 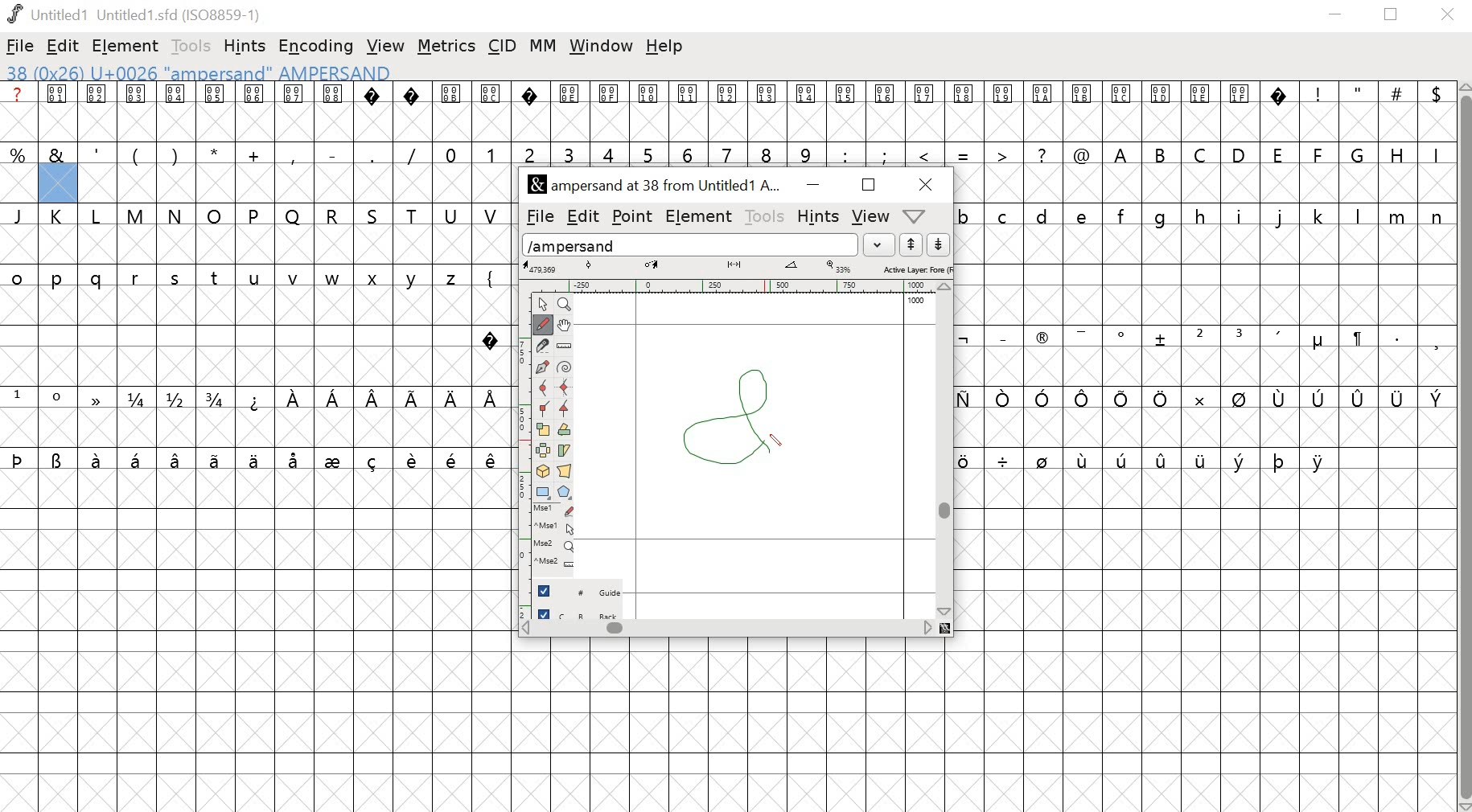 What do you see at coordinates (566, 324) in the screenshot?
I see `scroll by hand` at bounding box center [566, 324].